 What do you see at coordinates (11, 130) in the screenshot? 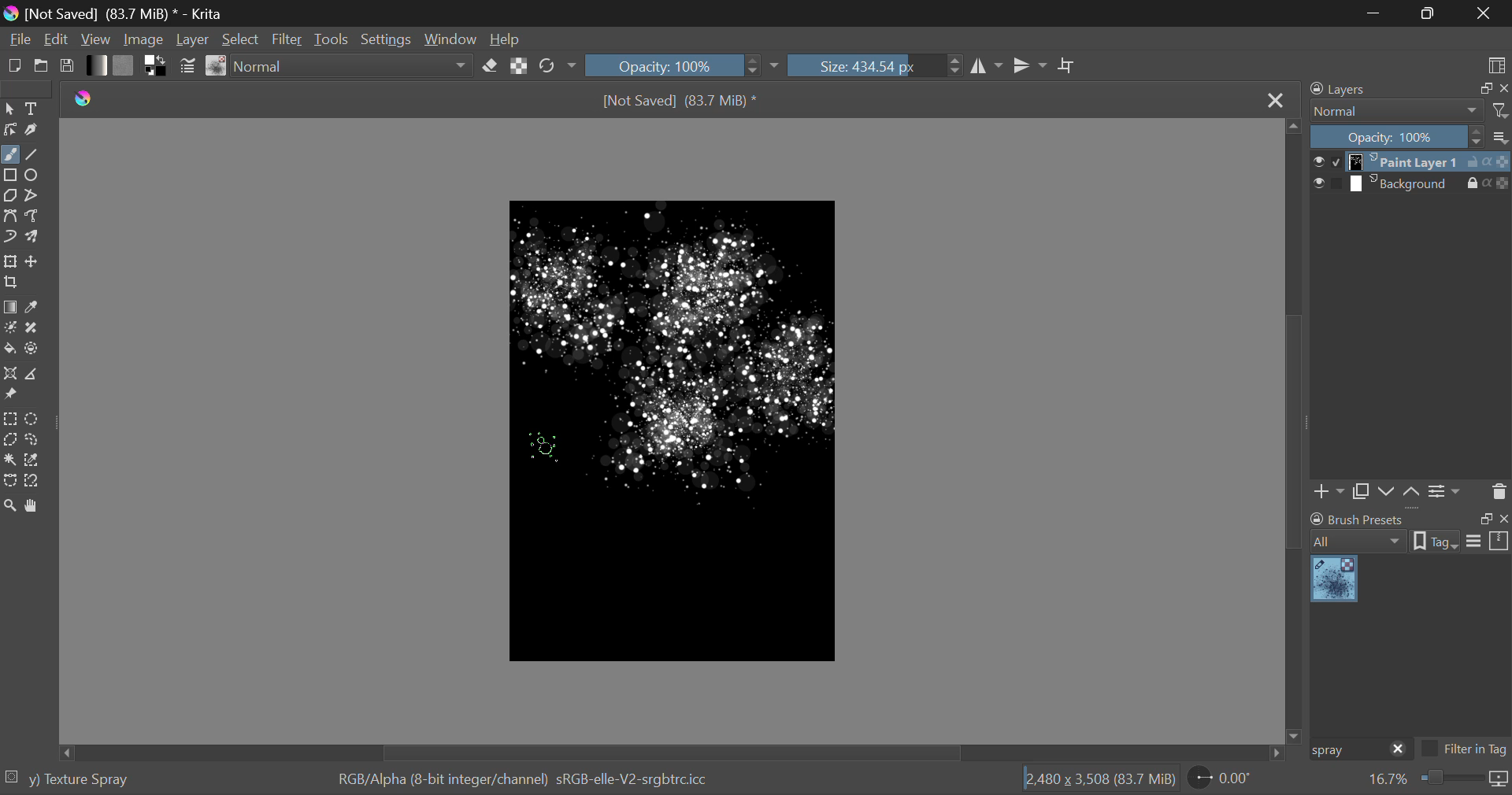
I see `Edit Shapes` at bounding box center [11, 130].